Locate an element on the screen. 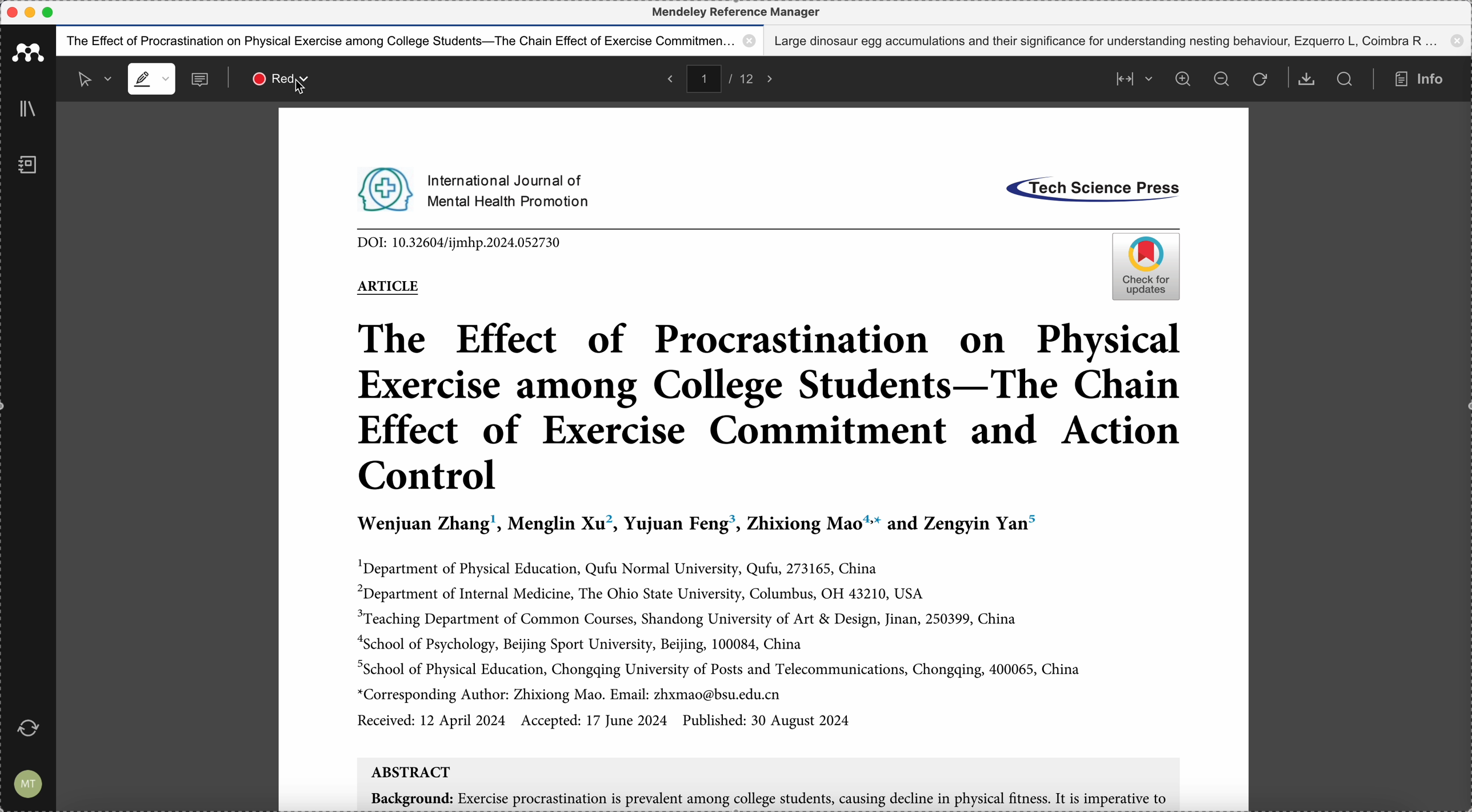  refresh the page is located at coordinates (1259, 80).